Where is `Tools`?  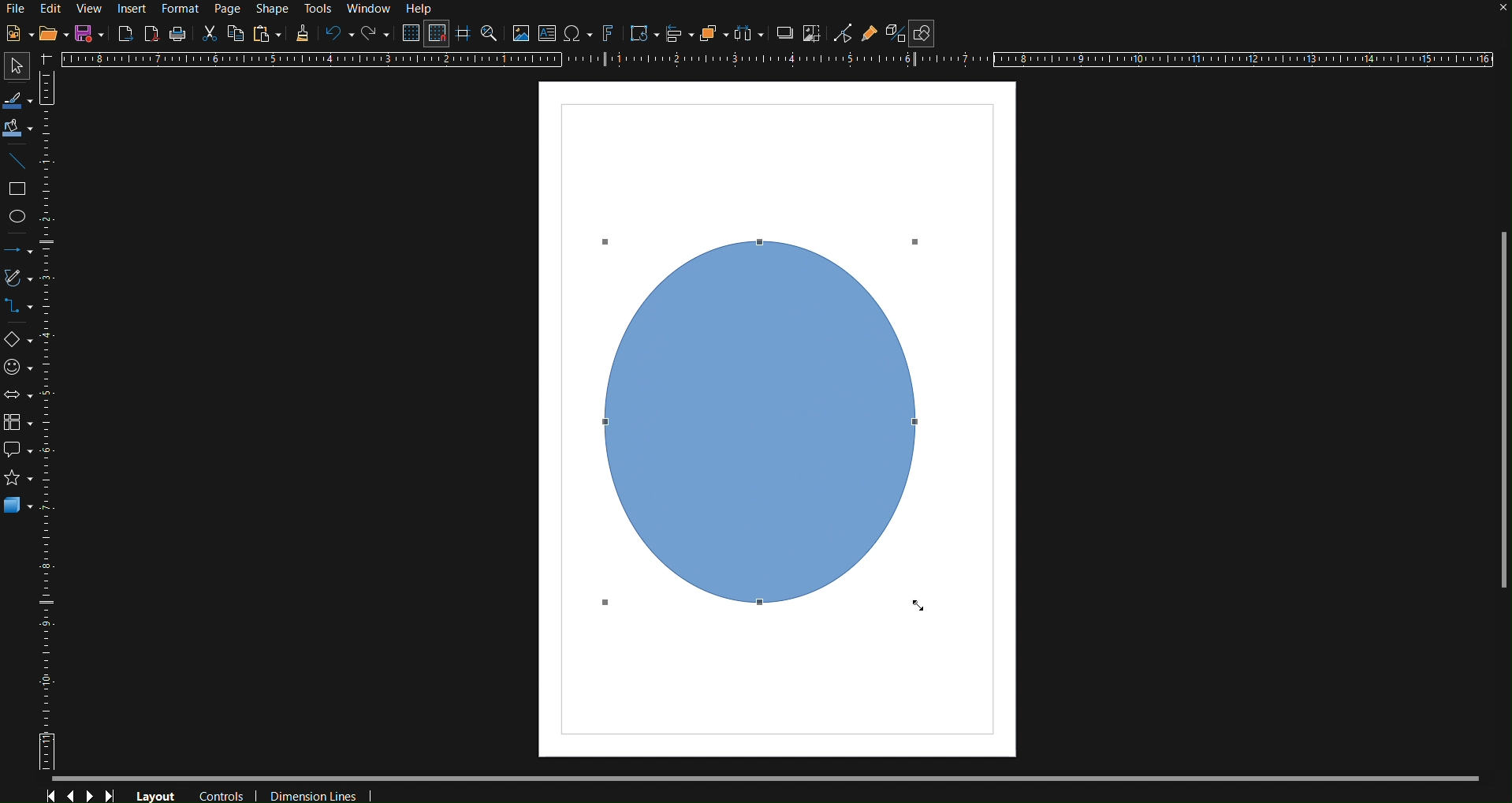
Tools is located at coordinates (319, 9).